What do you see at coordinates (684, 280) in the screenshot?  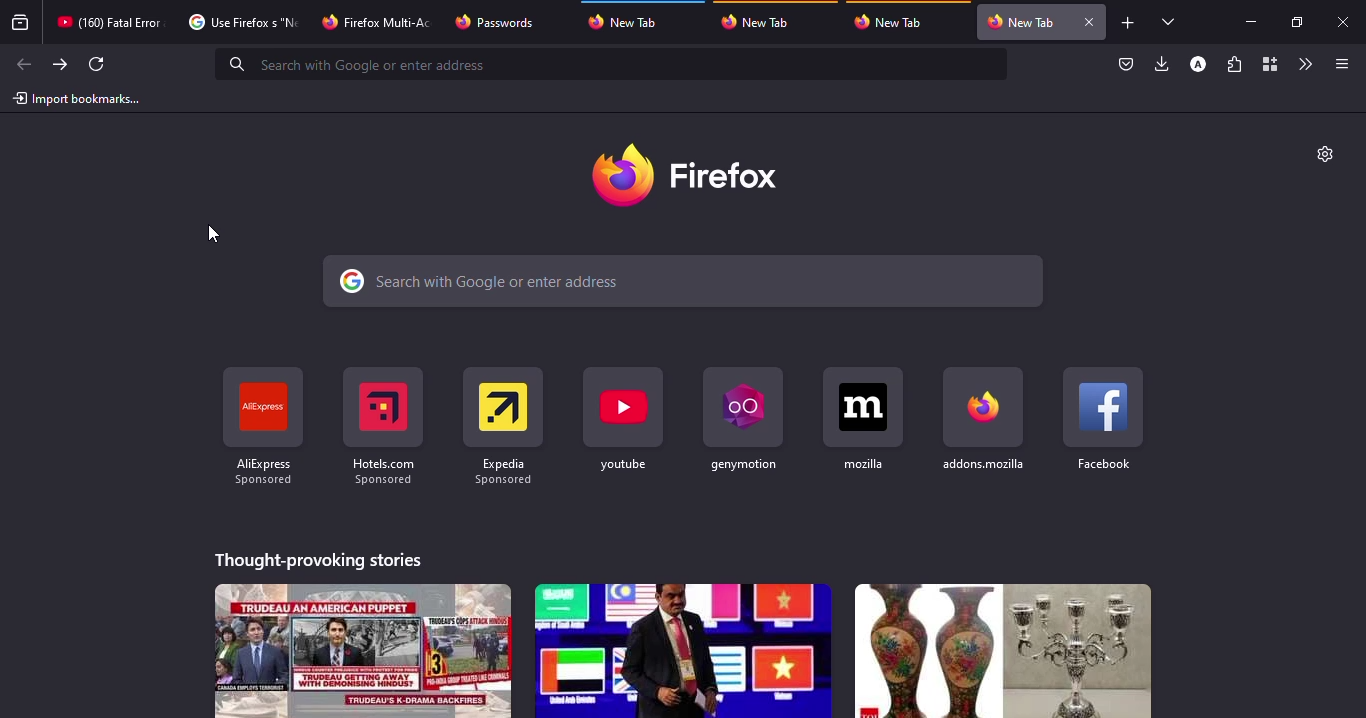 I see `search` at bounding box center [684, 280].